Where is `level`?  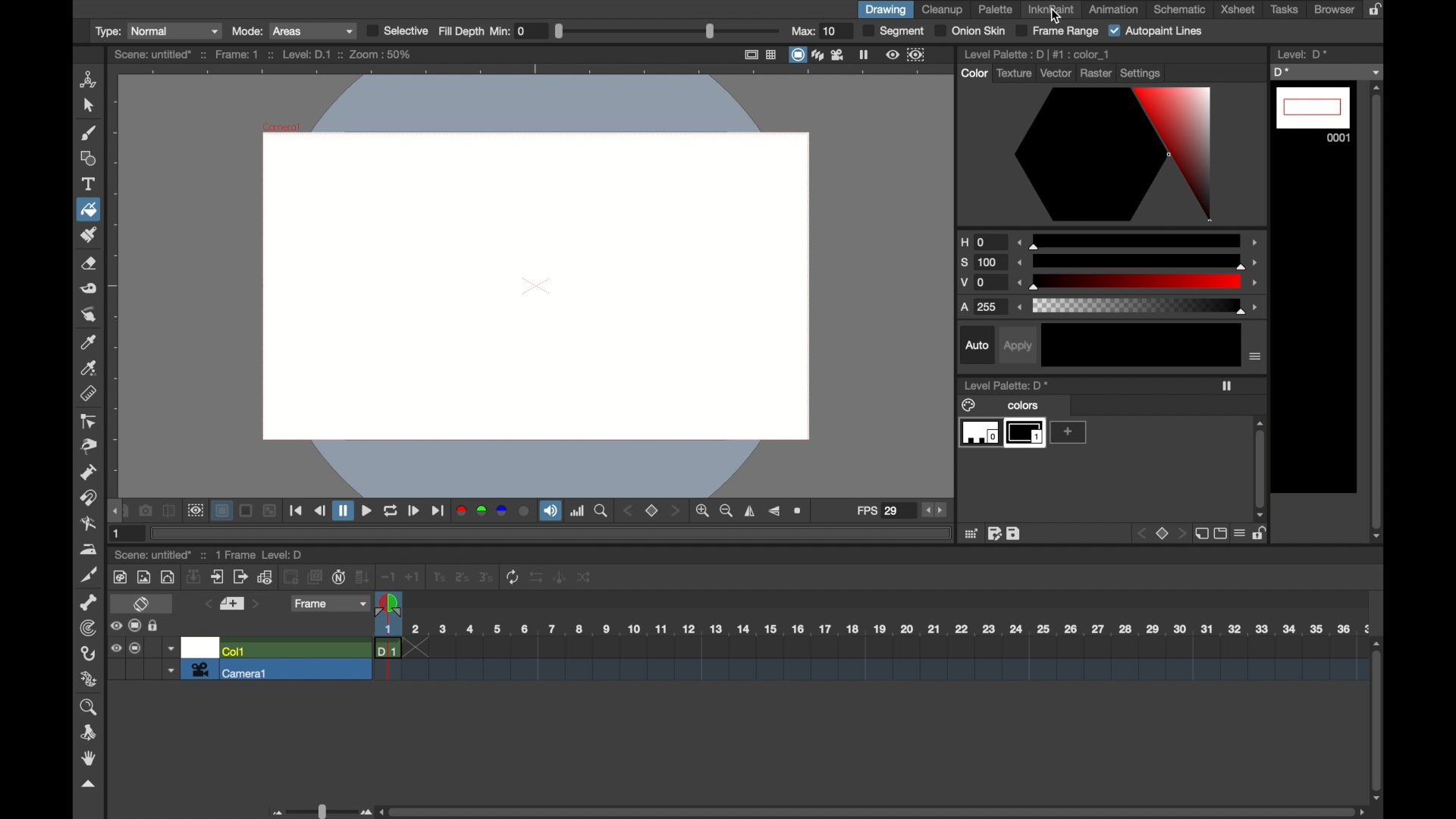
level is located at coordinates (1025, 433).